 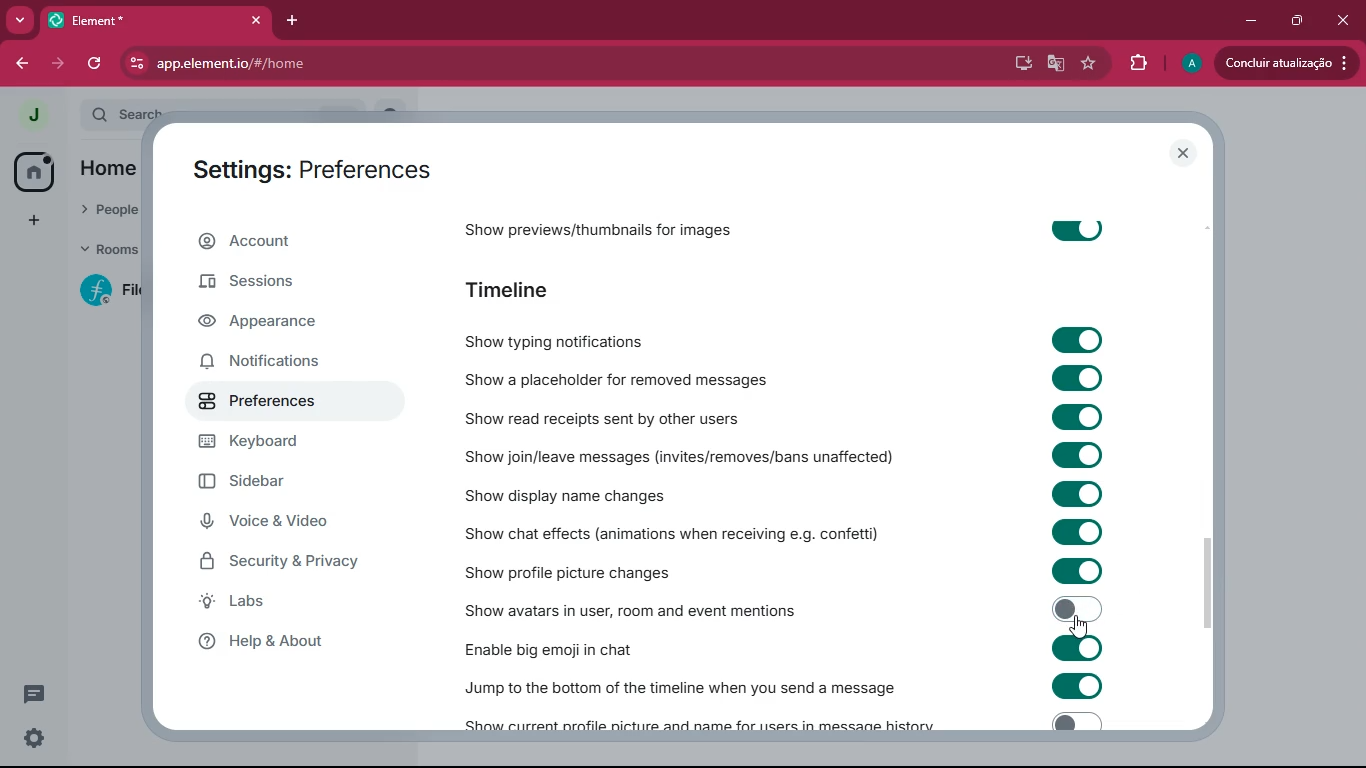 What do you see at coordinates (19, 63) in the screenshot?
I see `back` at bounding box center [19, 63].